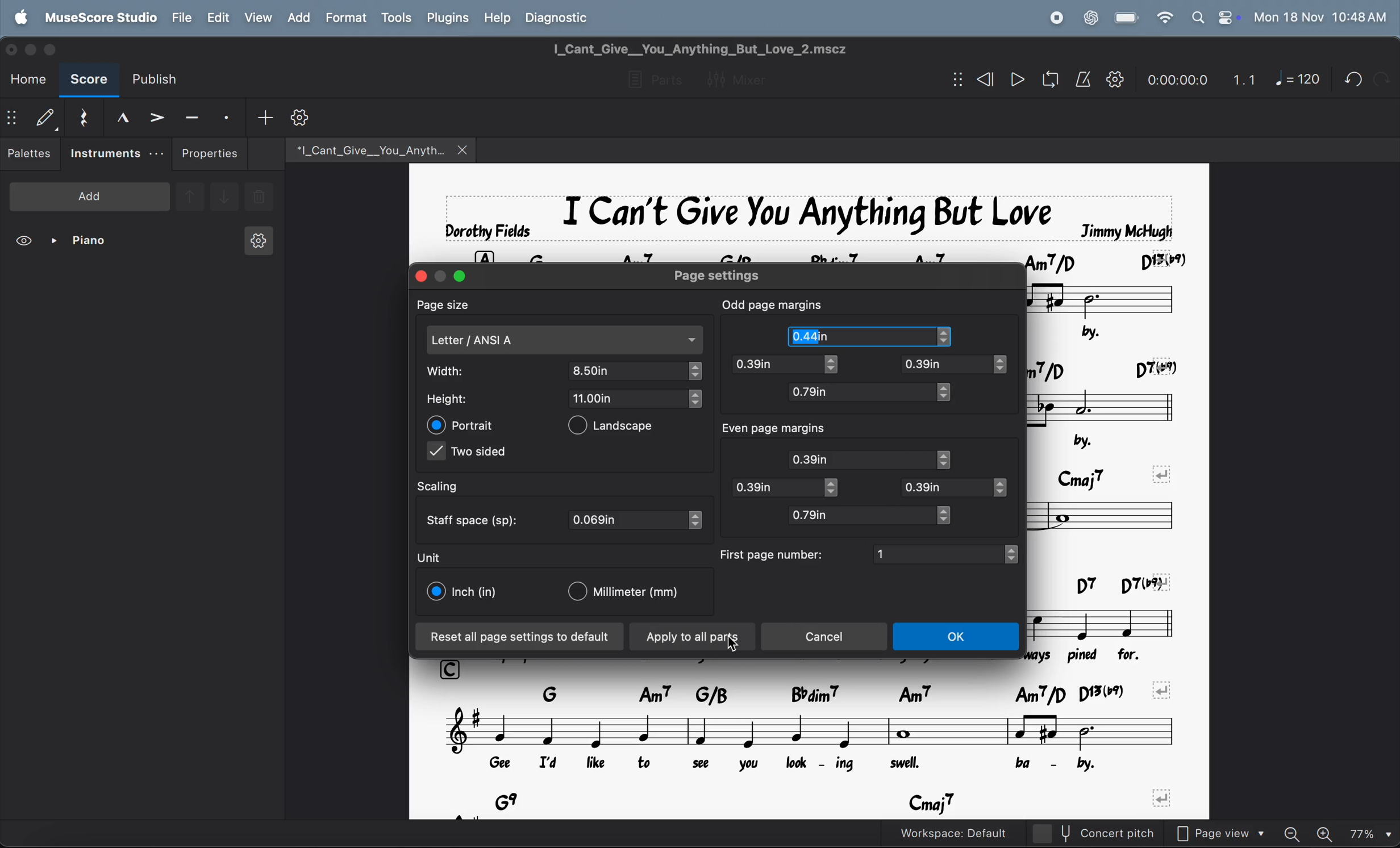 This screenshot has width=1400, height=848. Describe the element at coordinates (620, 428) in the screenshot. I see `lanscape` at that location.